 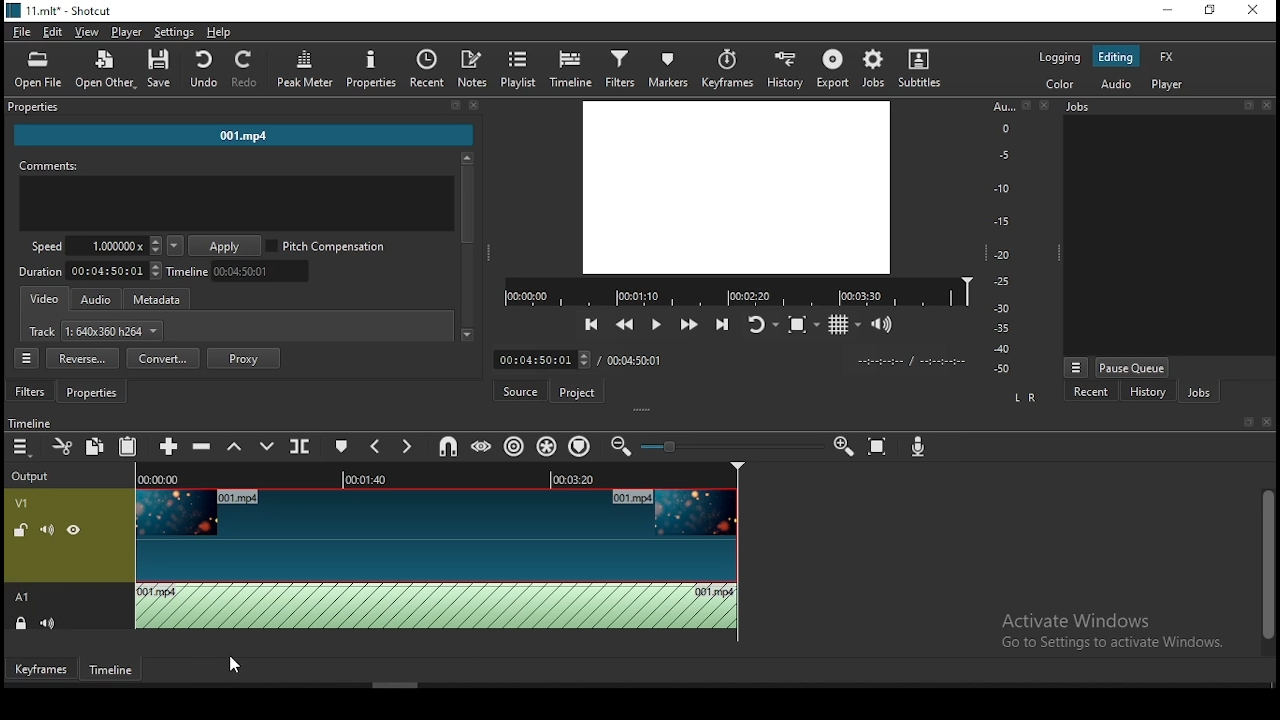 I want to click on video preview, so click(x=731, y=188).